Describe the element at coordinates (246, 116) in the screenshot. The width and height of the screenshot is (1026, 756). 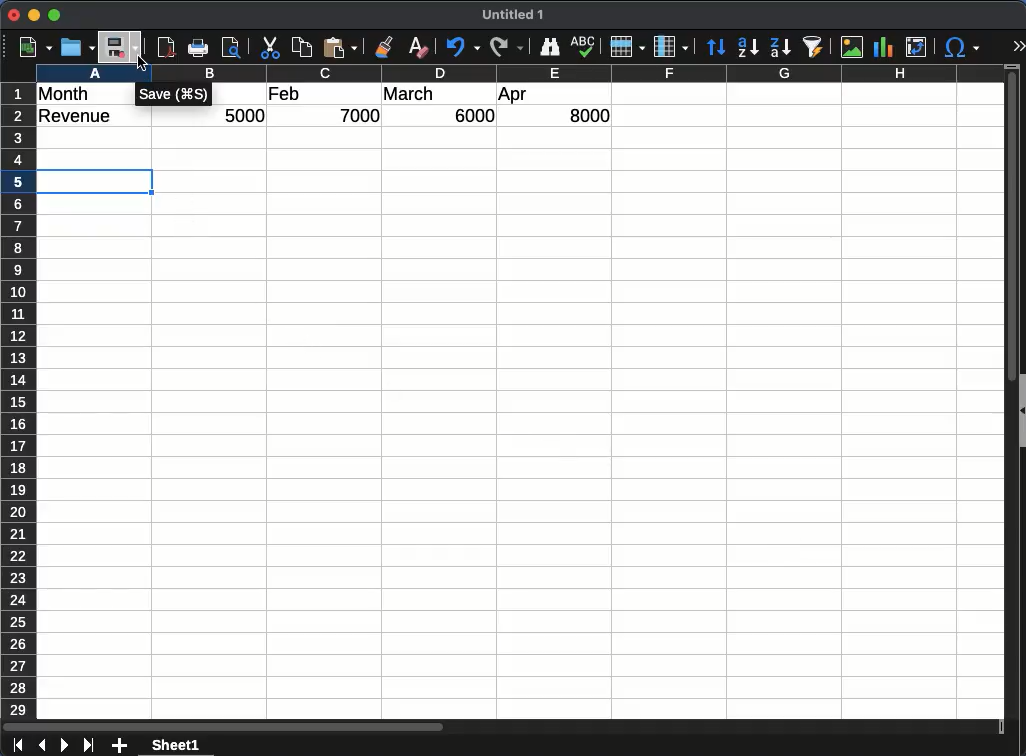
I see `5000` at that location.